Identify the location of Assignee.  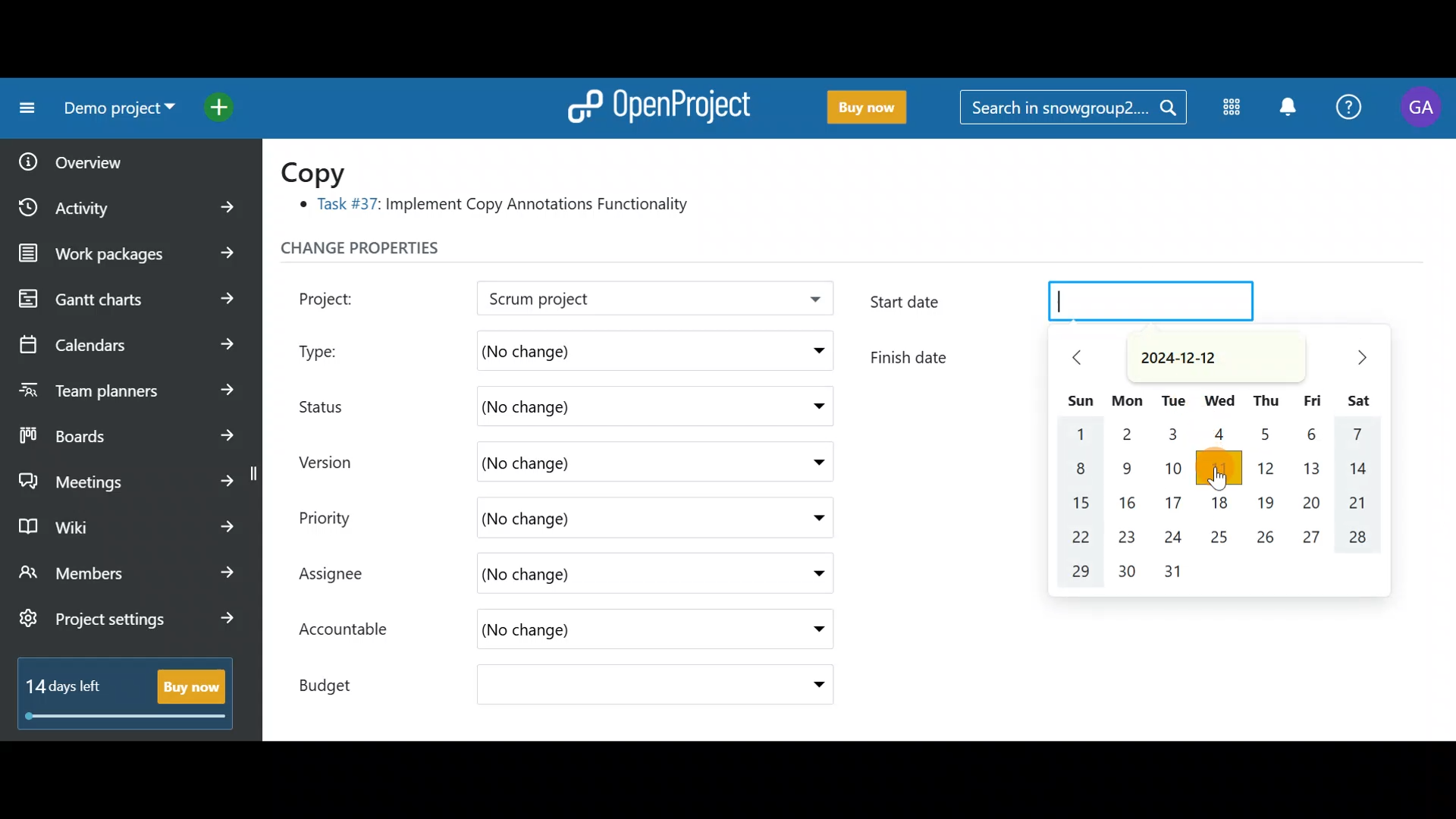
(346, 576).